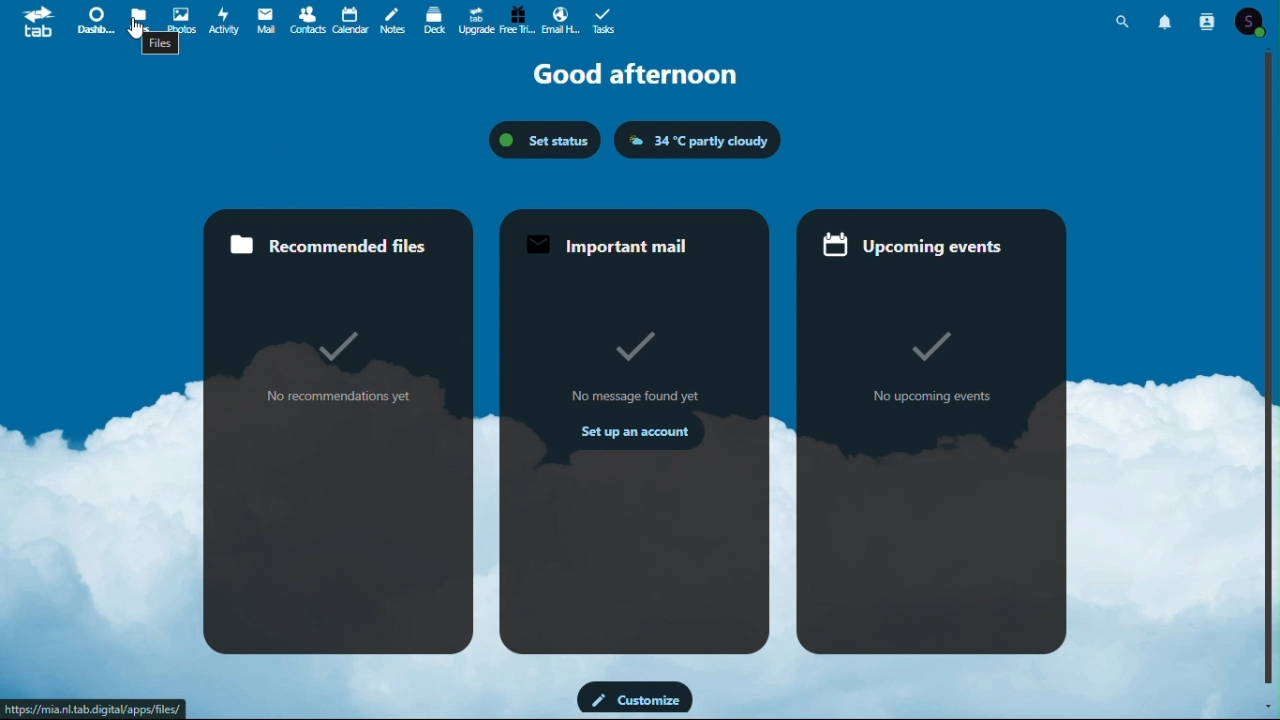 Image resolution: width=1280 pixels, height=720 pixels. I want to click on Contacts, so click(1208, 19).